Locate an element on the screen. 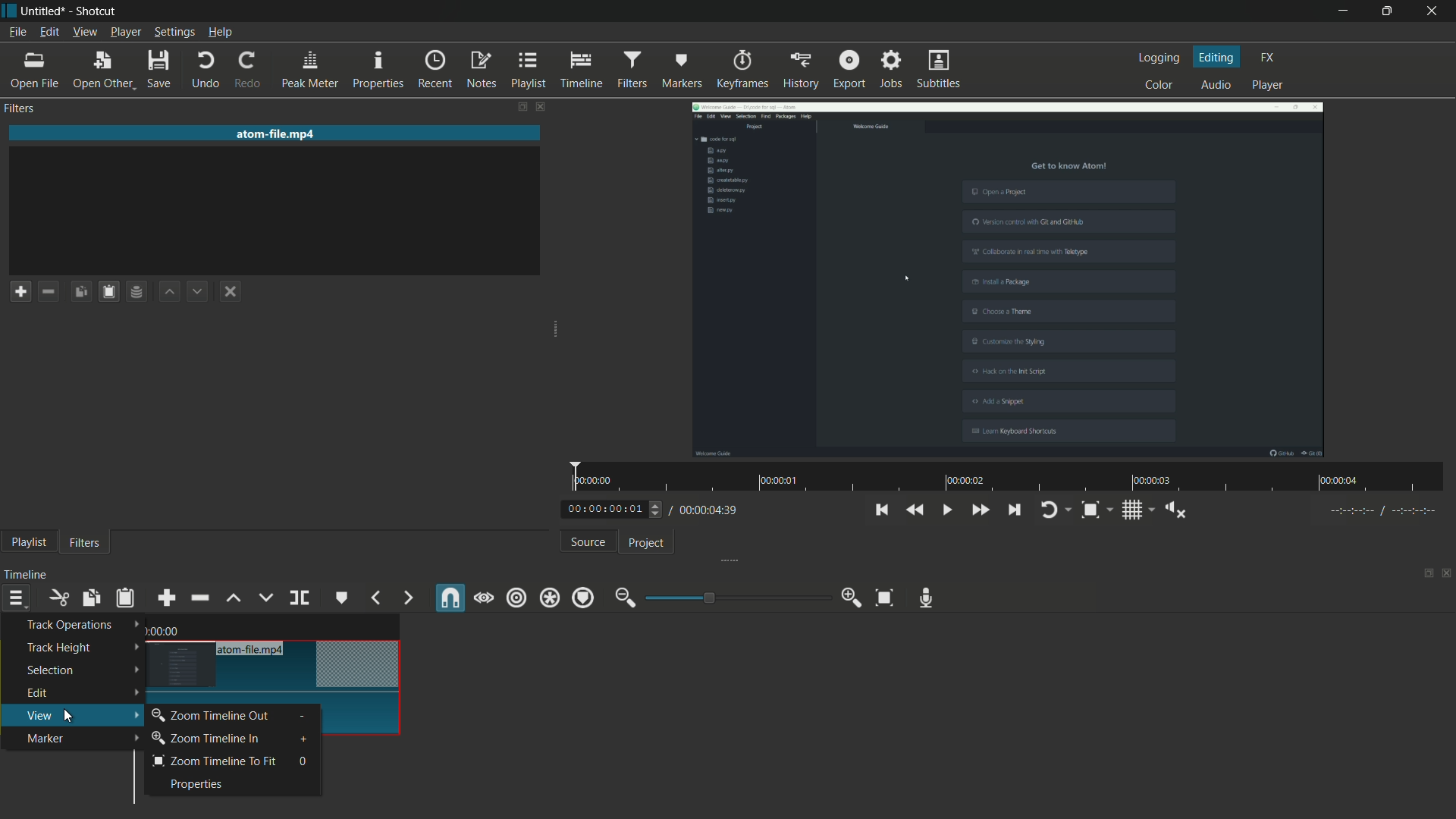 The height and width of the screenshot is (819, 1456). record audio is located at coordinates (926, 599).